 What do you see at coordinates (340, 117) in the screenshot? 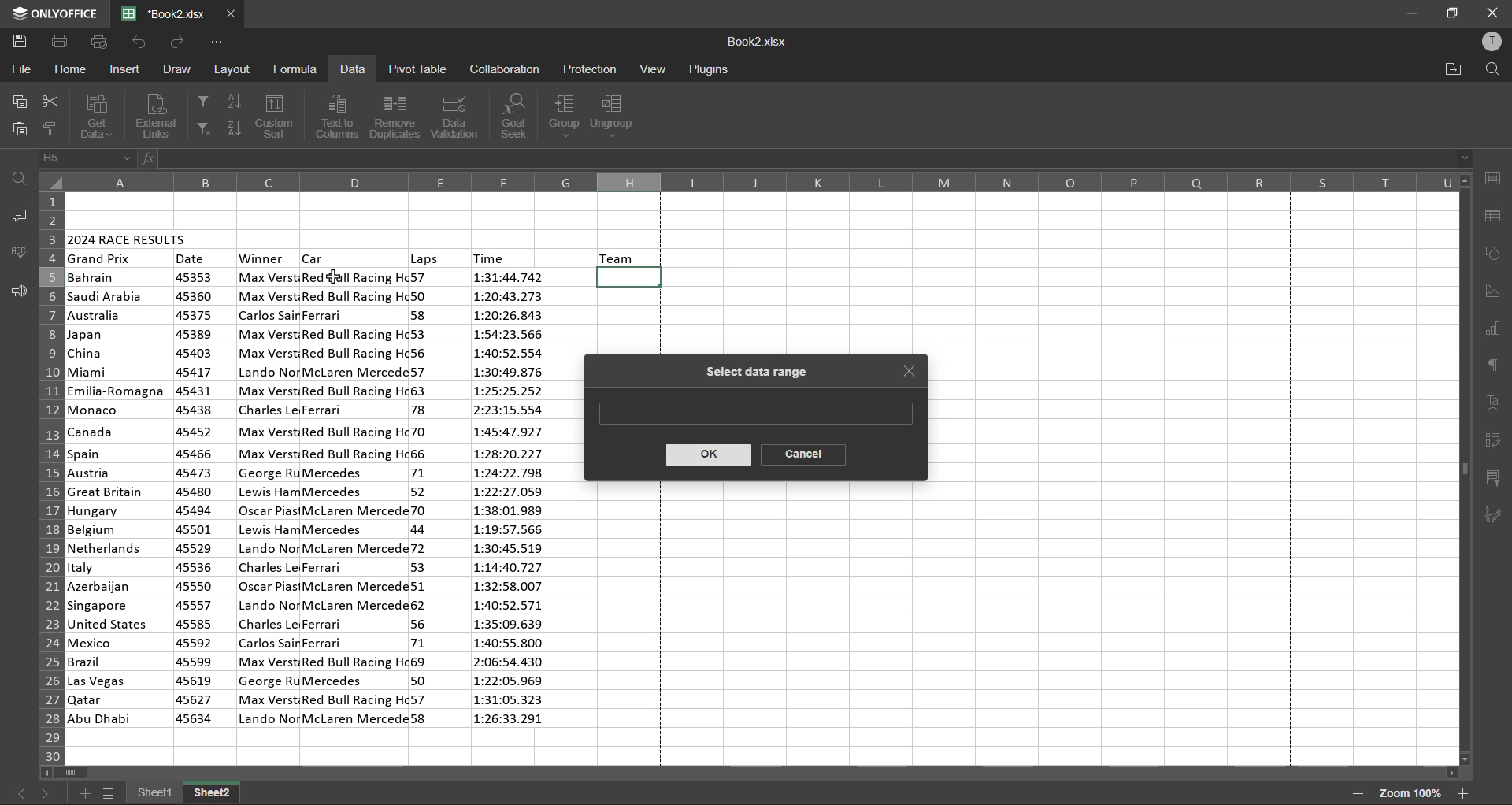
I see `text to columns` at bounding box center [340, 117].